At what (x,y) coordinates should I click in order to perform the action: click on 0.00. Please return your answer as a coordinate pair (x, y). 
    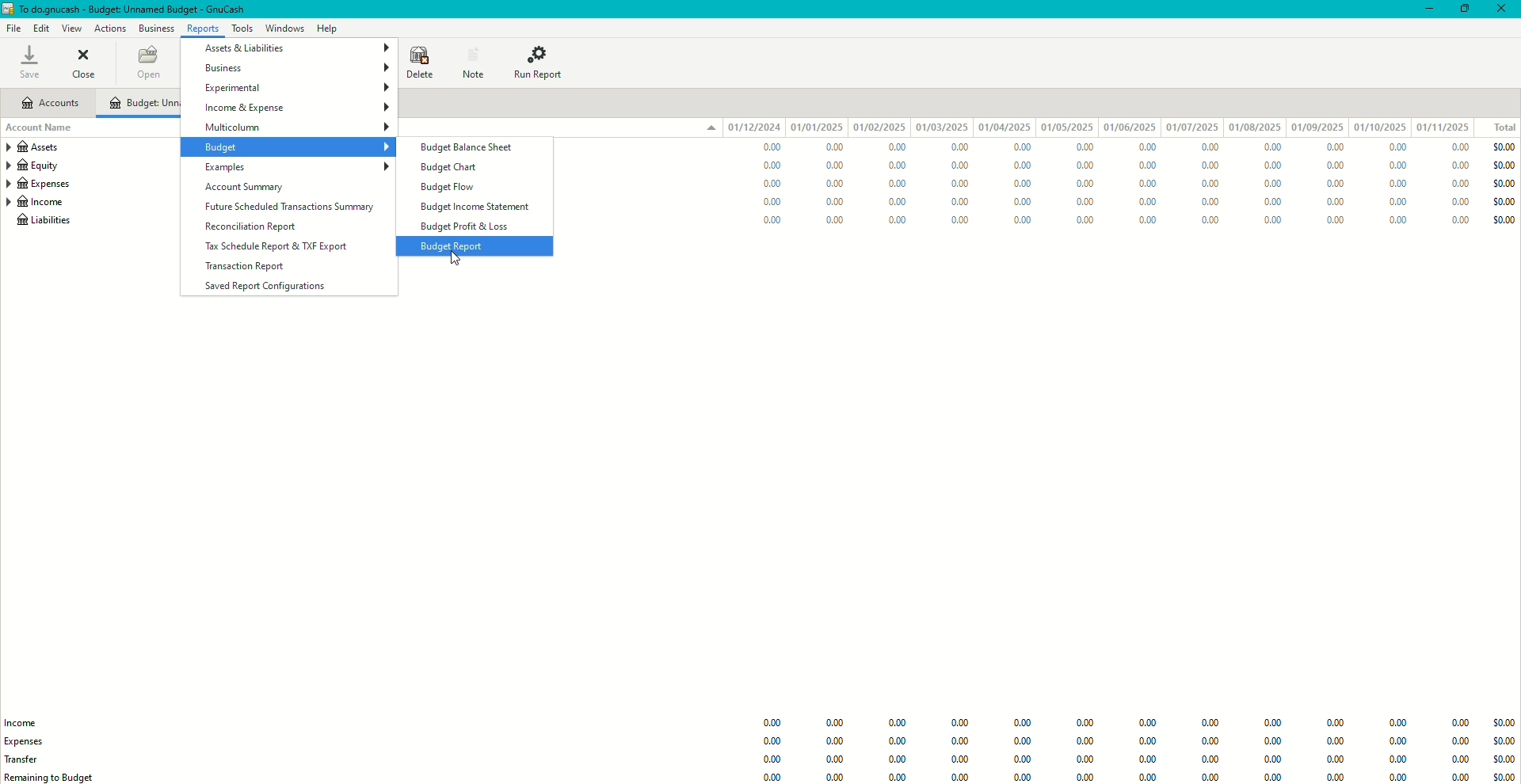
    Looking at the image, I should click on (1268, 165).